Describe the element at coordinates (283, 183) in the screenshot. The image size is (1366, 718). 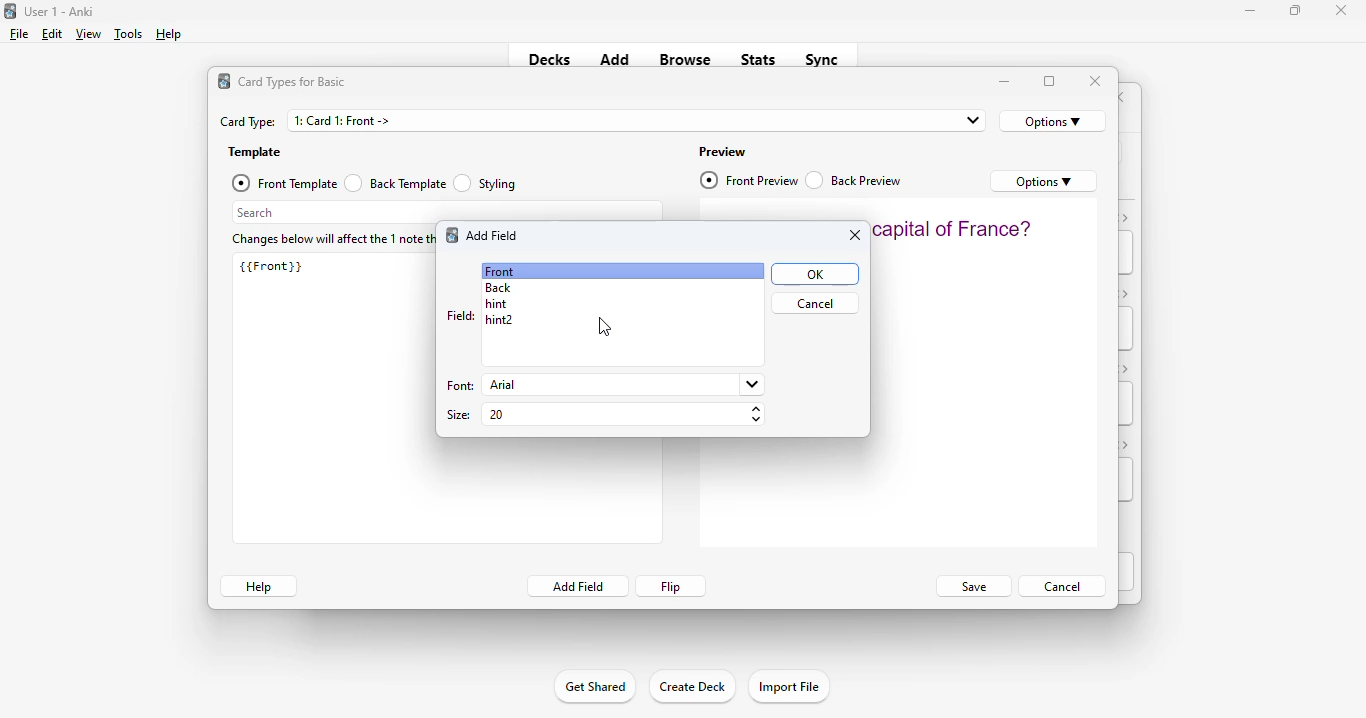
I see `front template` at that location.